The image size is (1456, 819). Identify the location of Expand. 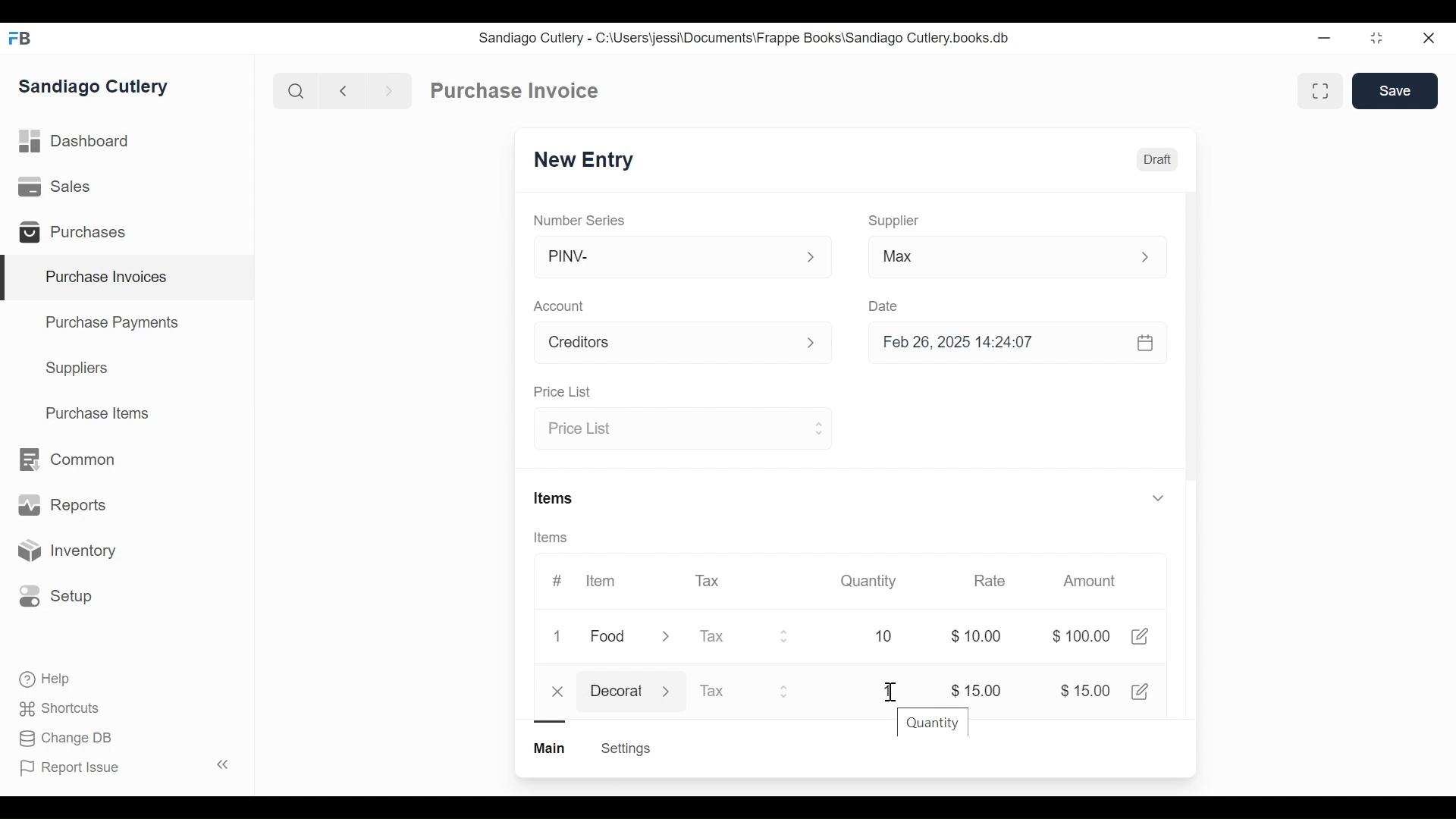
(1145, 257).